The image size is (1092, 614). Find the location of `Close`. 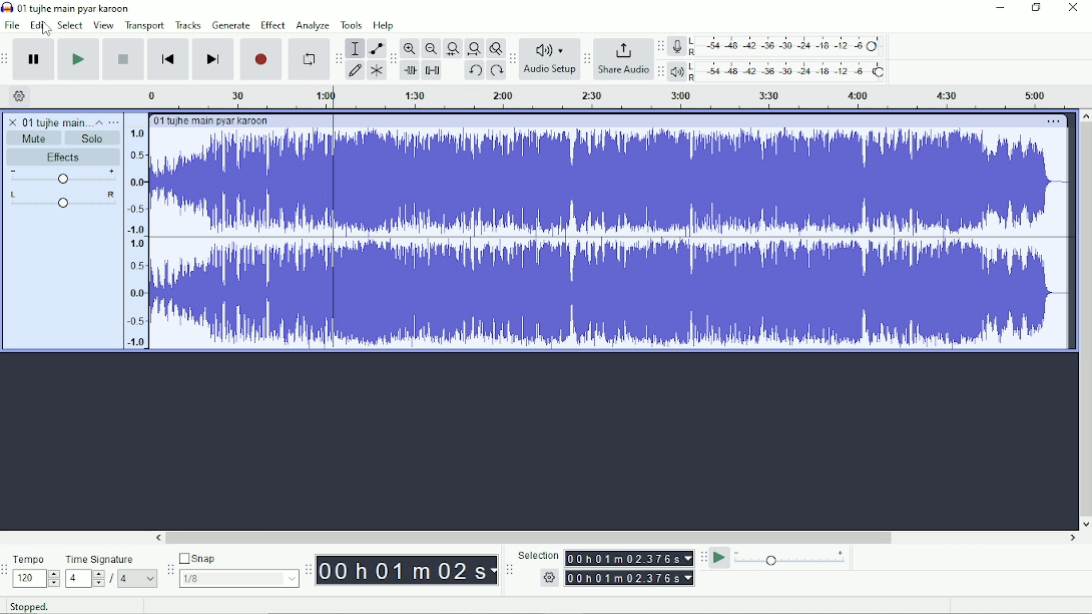

Close is located at coordinates (1072, 10).